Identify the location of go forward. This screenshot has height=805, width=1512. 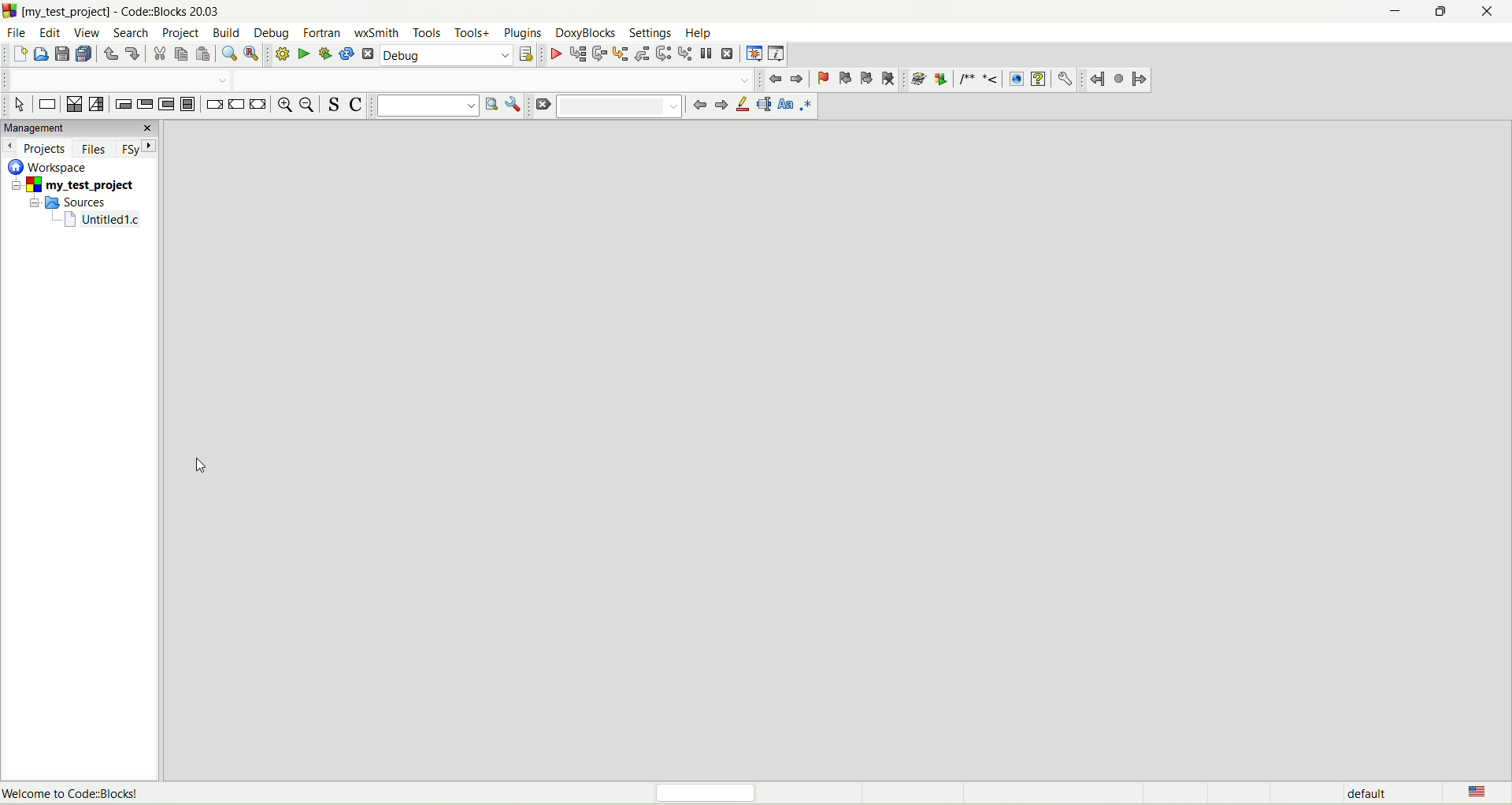
(721, 106).